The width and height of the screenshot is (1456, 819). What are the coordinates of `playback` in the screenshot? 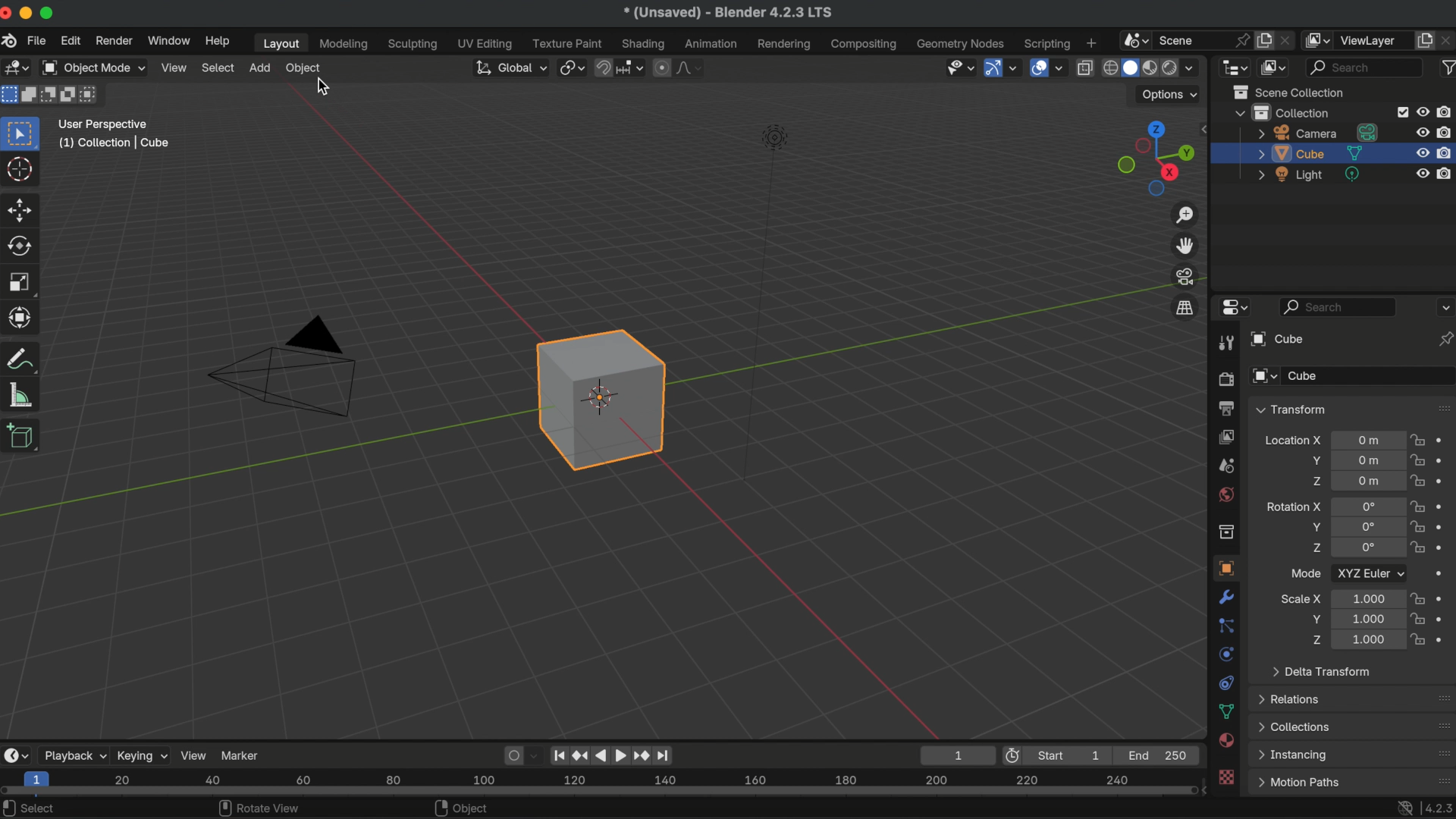 It's located at (74, 755).